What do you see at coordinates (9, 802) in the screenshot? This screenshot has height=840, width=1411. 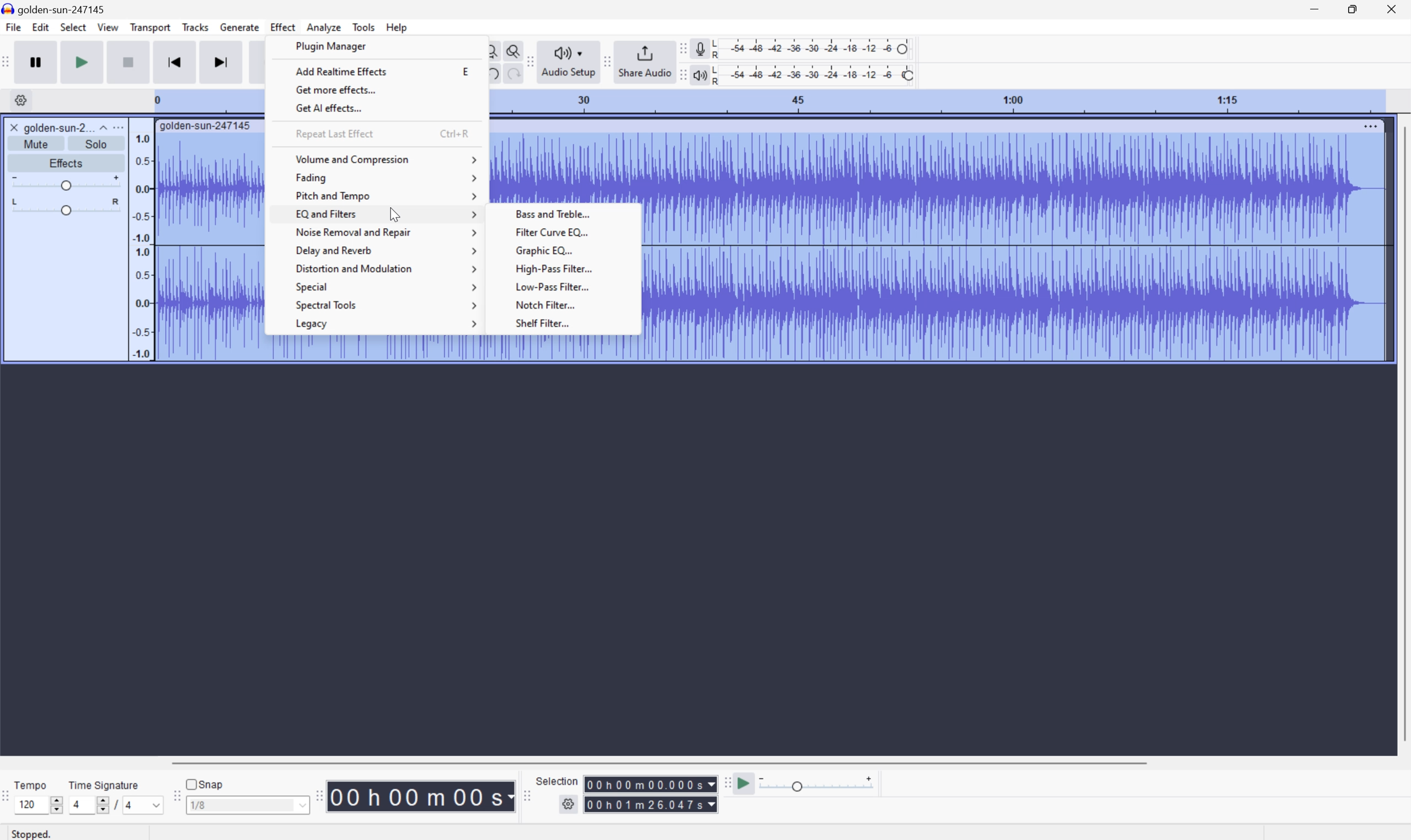 I see `Audacity time signature toolbar` at bounding box center [9, 802].